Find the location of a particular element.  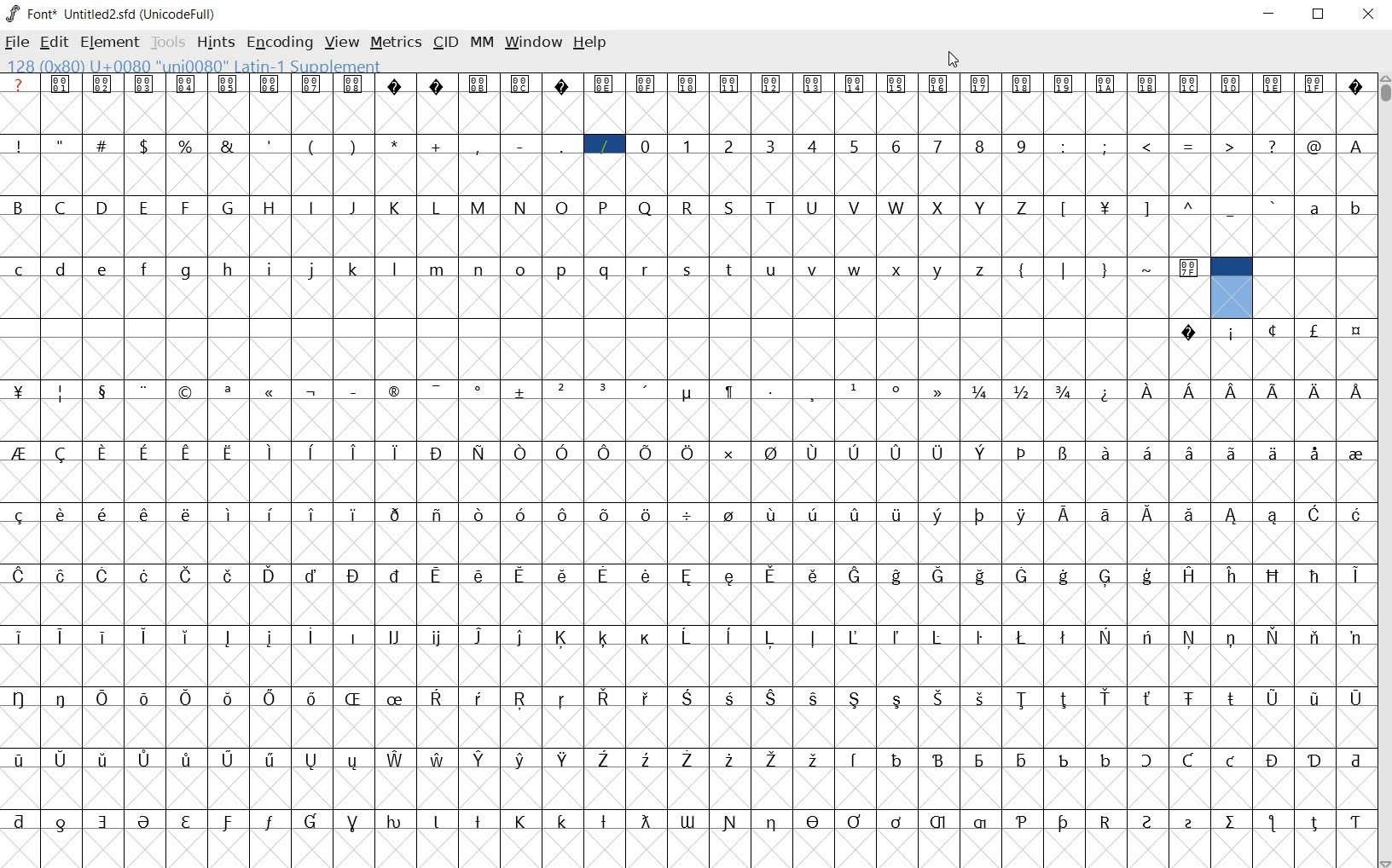

128(0X80) U +0080 " uni0080" Latin-1 Supplement is located at coordinates (192, 64).